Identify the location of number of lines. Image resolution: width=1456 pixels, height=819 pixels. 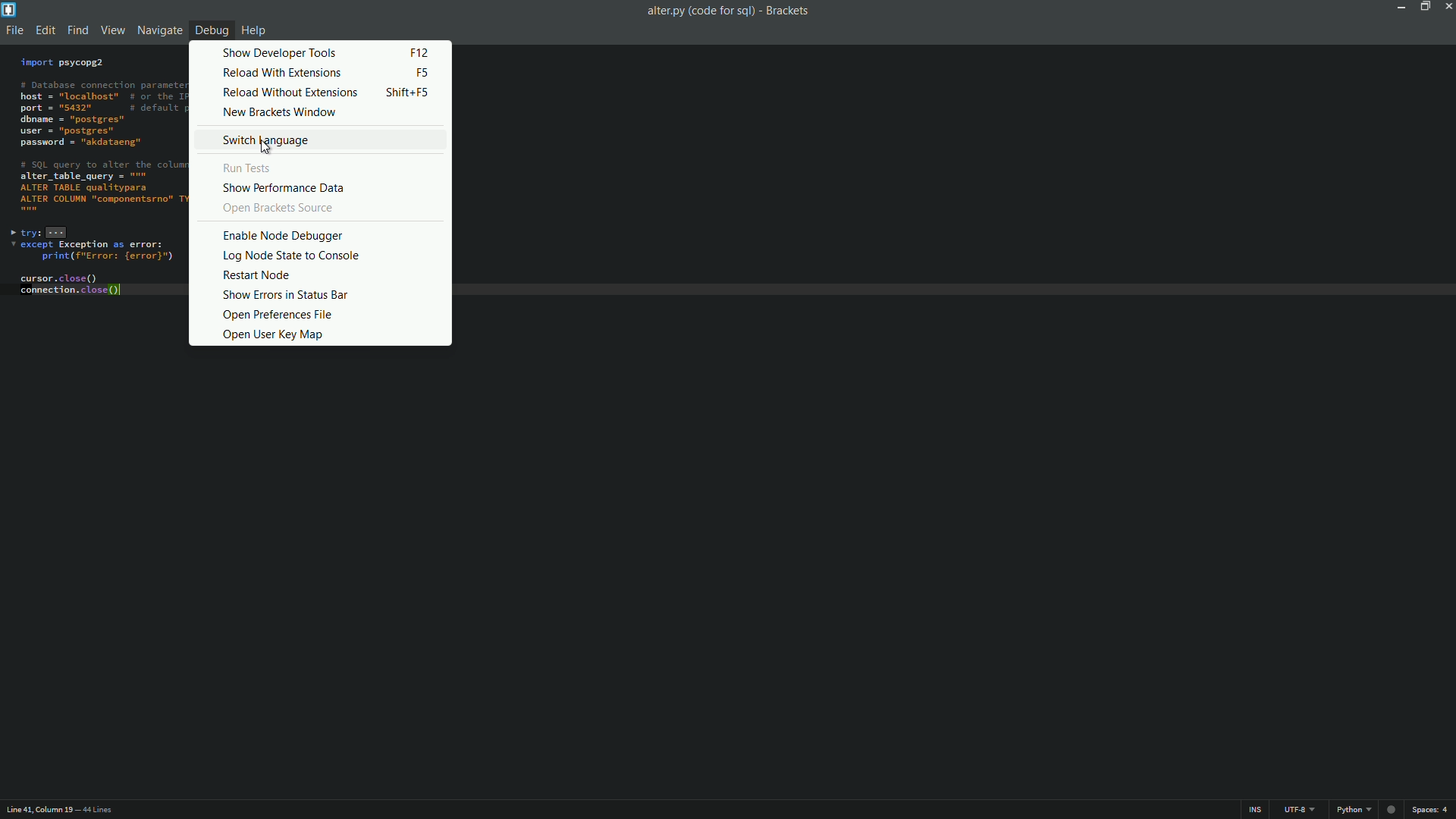
(97, 809).